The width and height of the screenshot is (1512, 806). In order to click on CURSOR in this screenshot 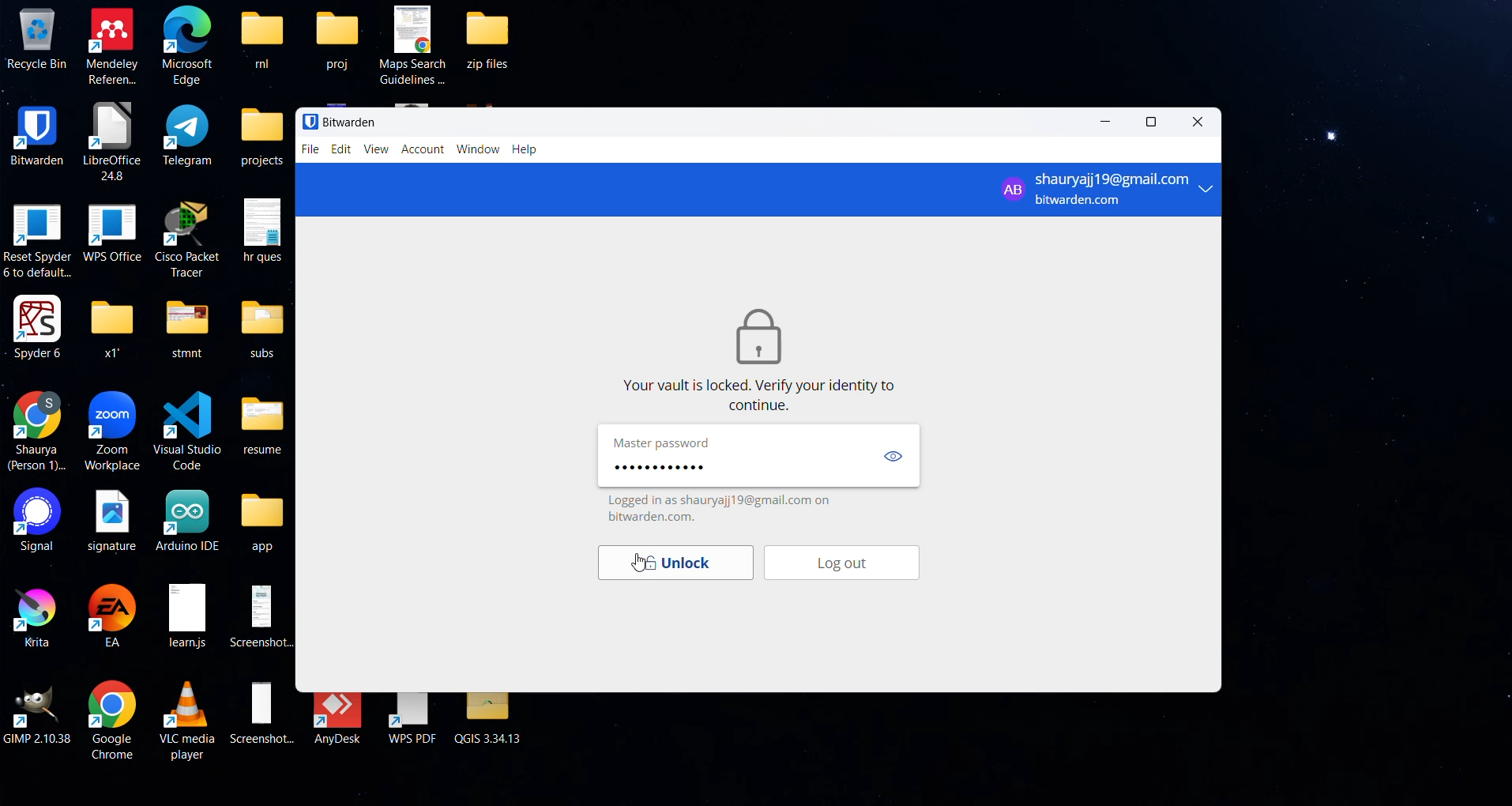, I will do `click(638, 566)`.